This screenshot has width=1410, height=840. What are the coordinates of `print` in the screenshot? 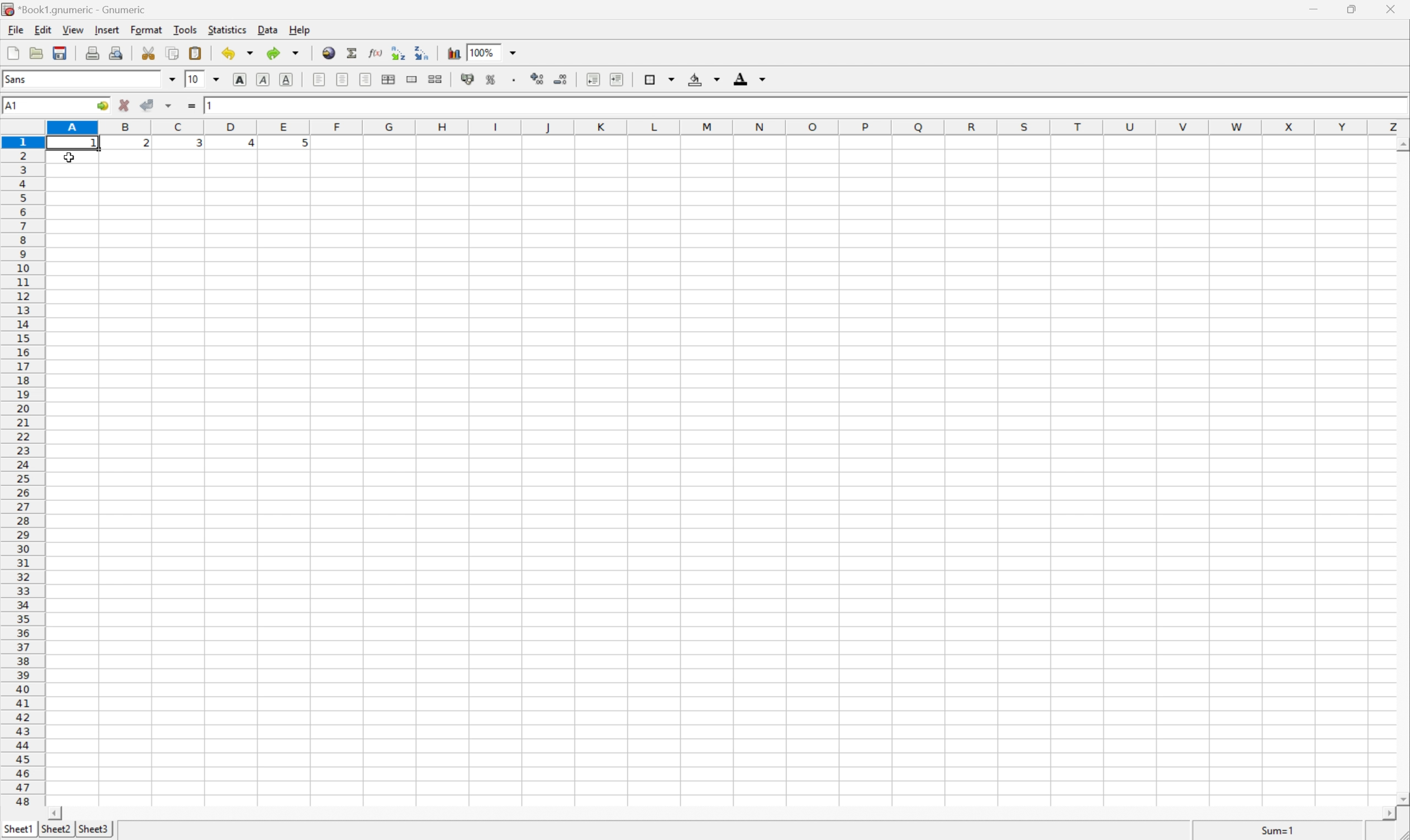 It's located at (92, 52).